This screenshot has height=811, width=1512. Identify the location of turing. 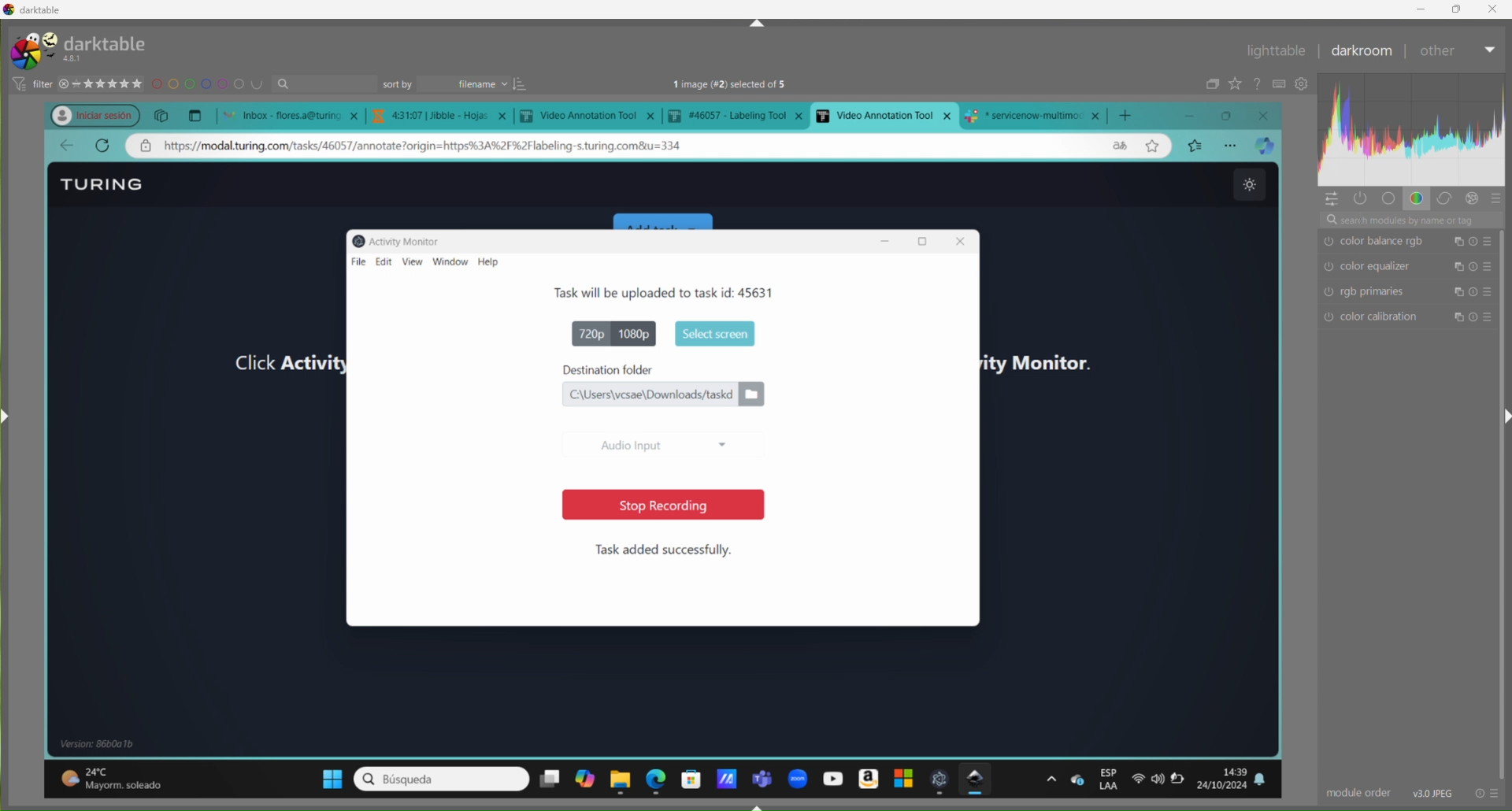
(96, 48).